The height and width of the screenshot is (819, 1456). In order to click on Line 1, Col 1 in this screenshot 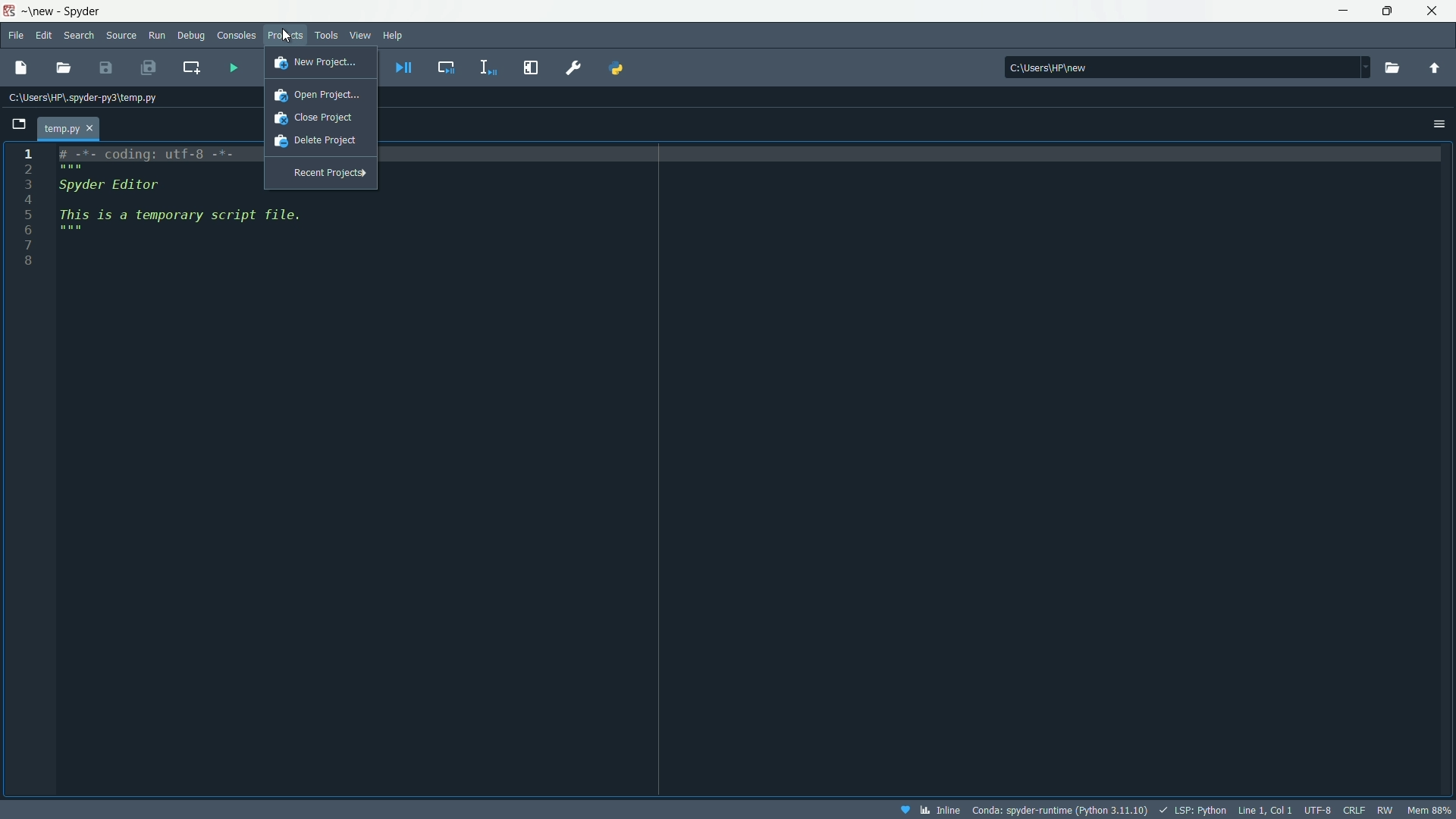, I will do `click(1265, 809)`.